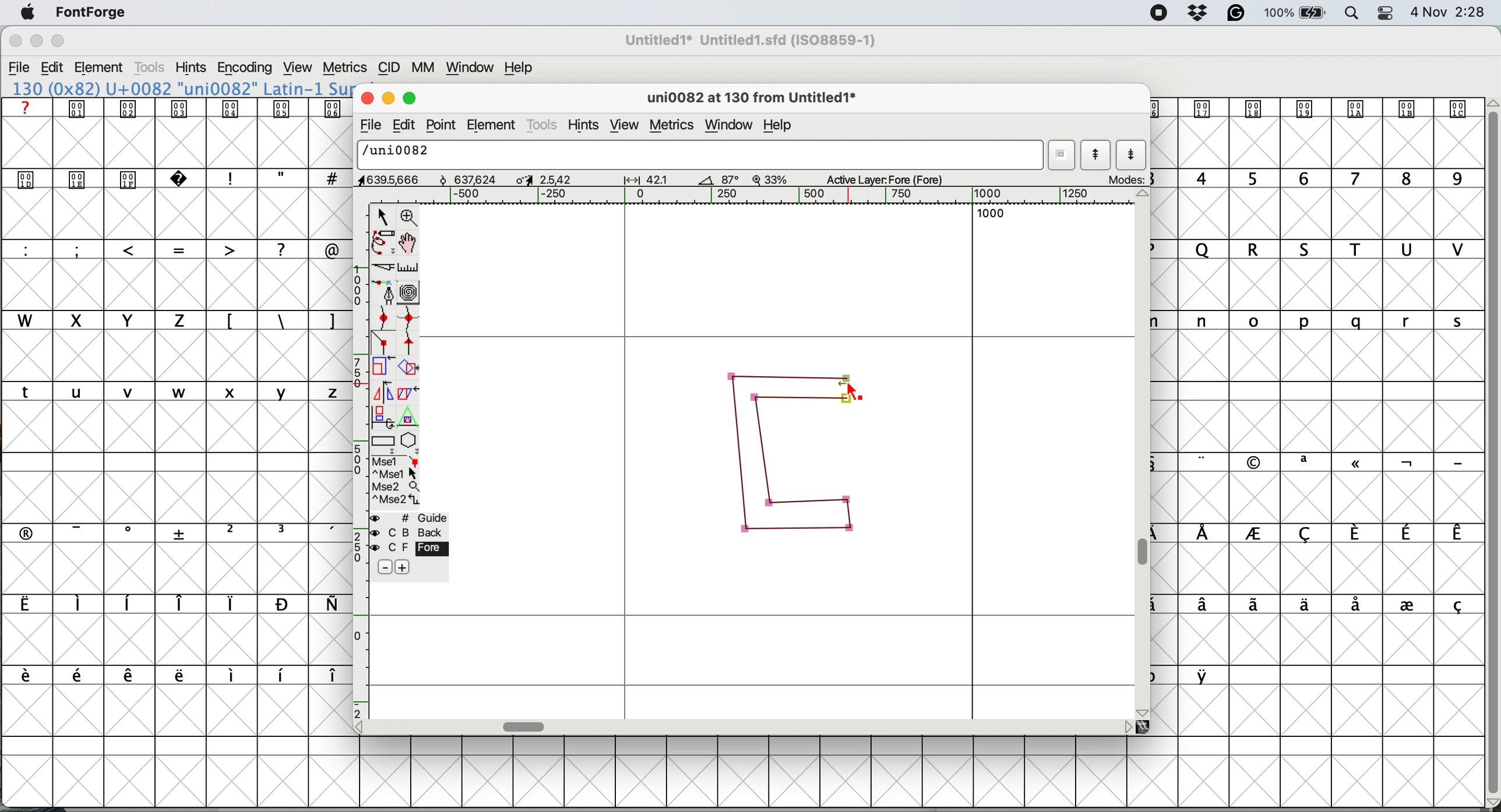 The height and width of the screenshot is (812, 1501). Describe the element at coordinates (177, 391) in the screenshot. I see `lower case letters` at that location.